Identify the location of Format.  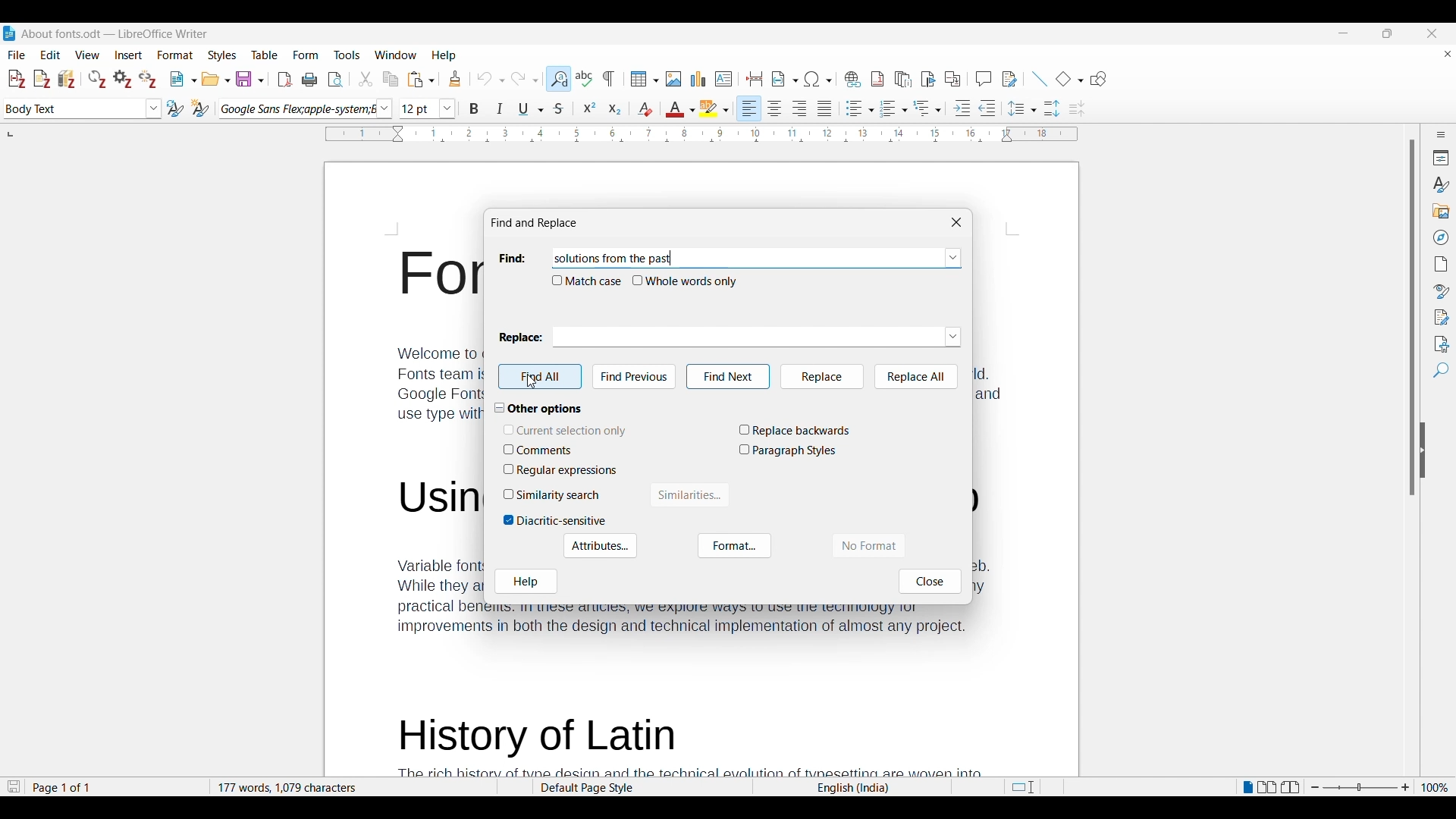
(735, 545).